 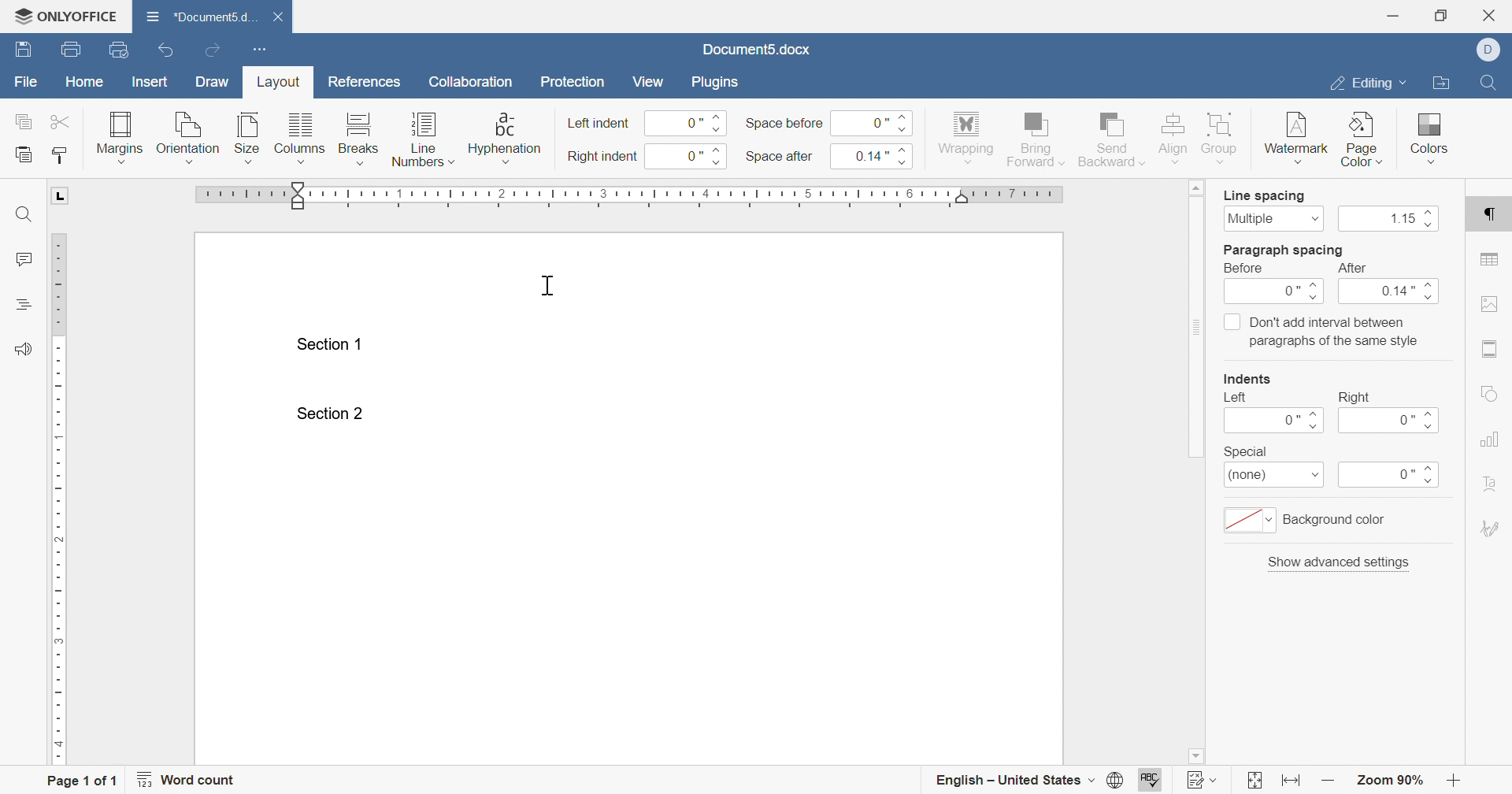 What do you see at coordinates (779, 155) in the screenshot?
I see `space after` at bounding box center [779, 155].